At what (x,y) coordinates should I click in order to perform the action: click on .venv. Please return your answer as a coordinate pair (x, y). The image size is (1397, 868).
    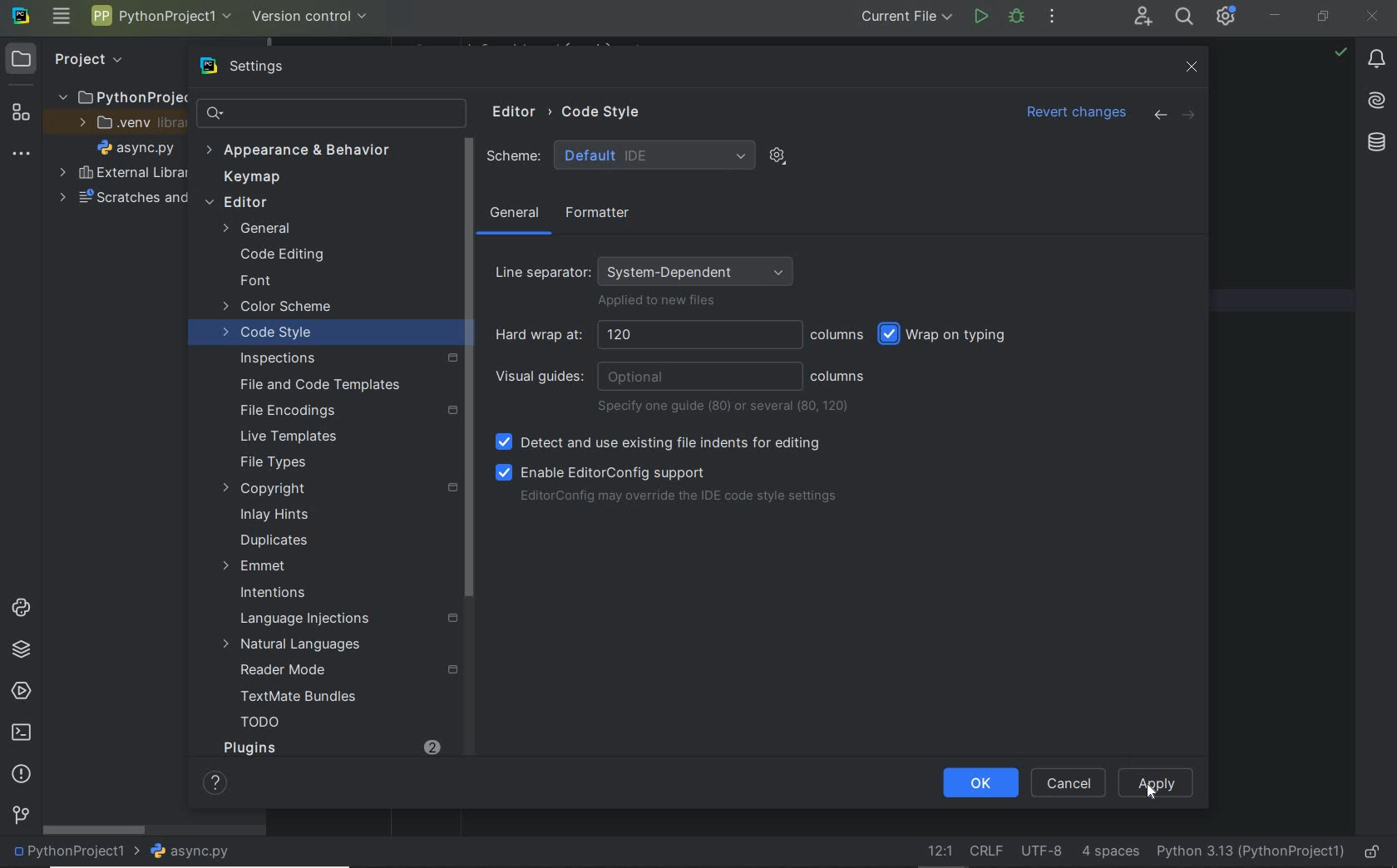
    Looking at the image, I should click on (126, 126).